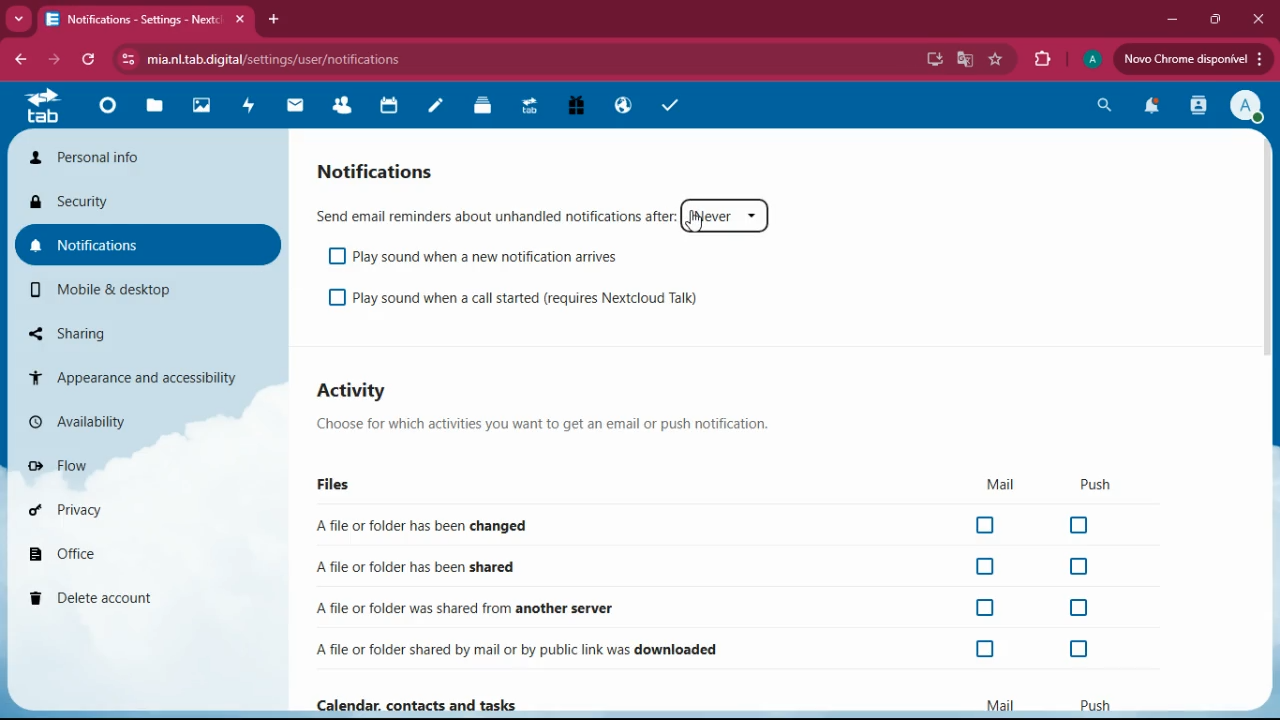 This screenshot has height=720, width=1280. Describe the element at coordinates (334, 256) in the screenshot. I see `off` at that location.